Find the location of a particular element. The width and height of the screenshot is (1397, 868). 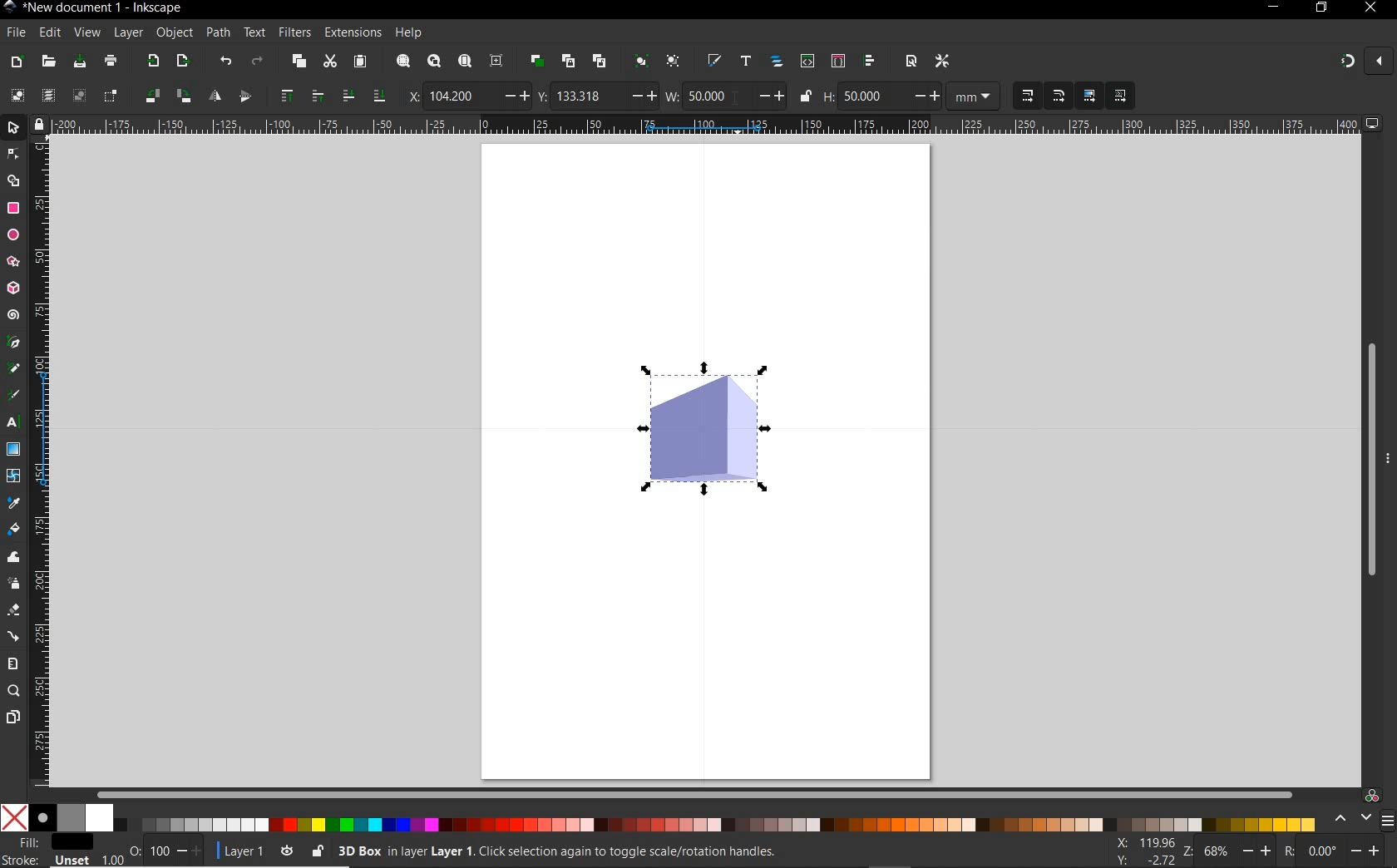

node tool is located at coordinates (13, 155).